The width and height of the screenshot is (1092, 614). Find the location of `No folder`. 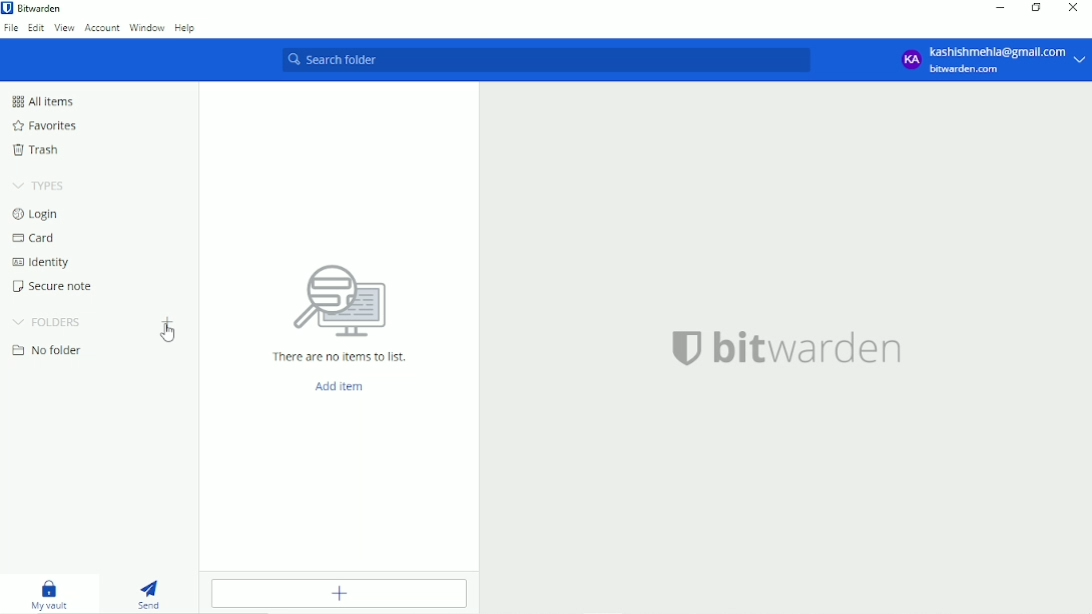

No folder is located at coordinates (50, 350).